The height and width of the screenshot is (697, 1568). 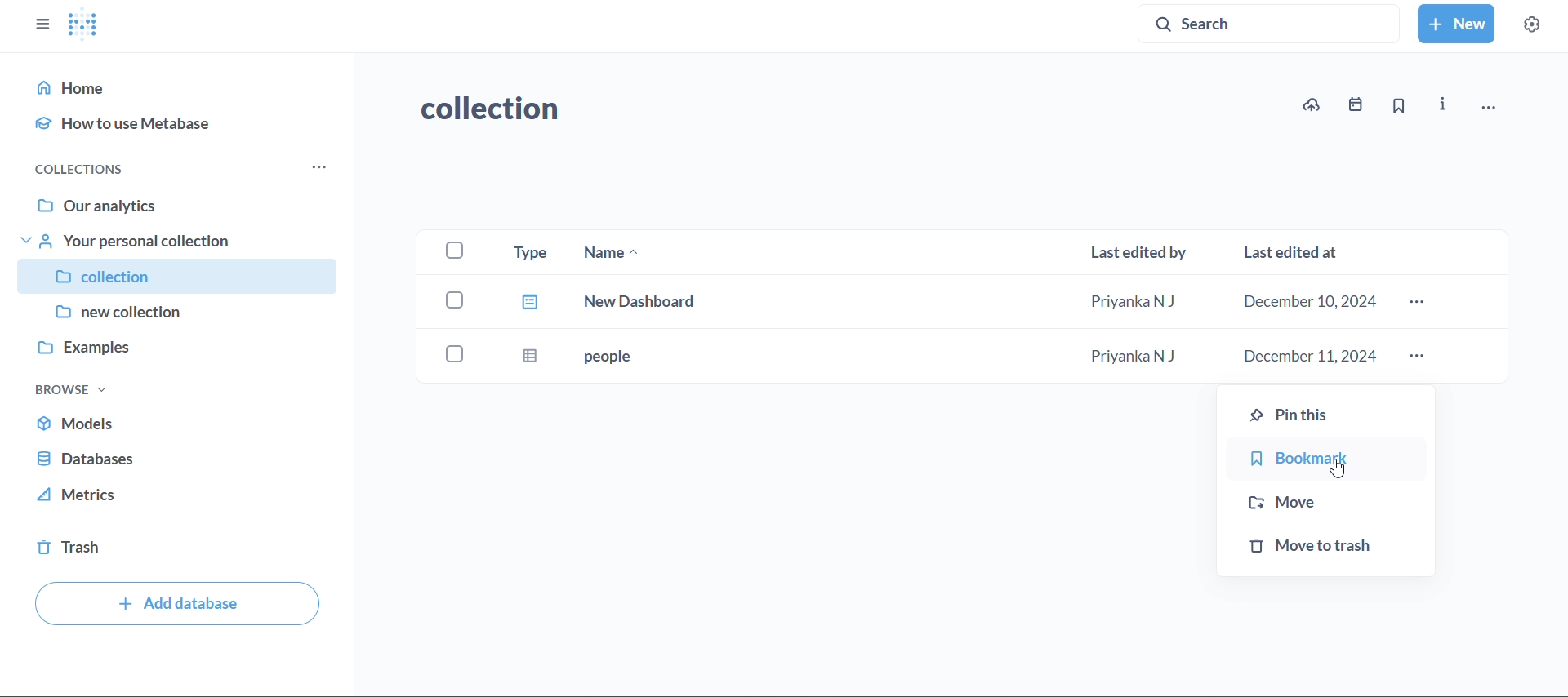 What do you see at coordinates (180, 500) in the screenshot?
I see `metrics` at bounding box center [180, 500].